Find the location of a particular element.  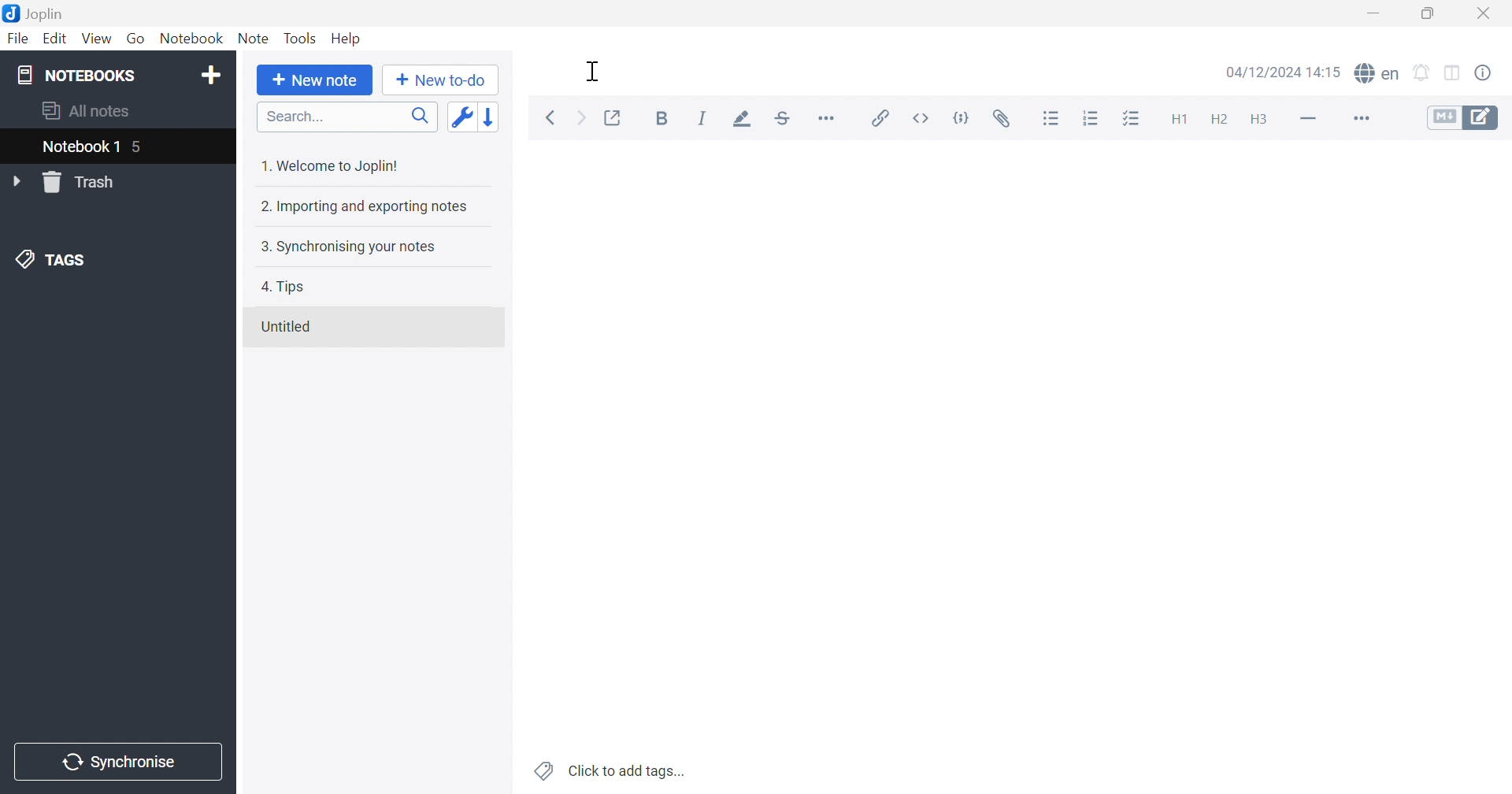

Edit is located at coordinates (53, 39).